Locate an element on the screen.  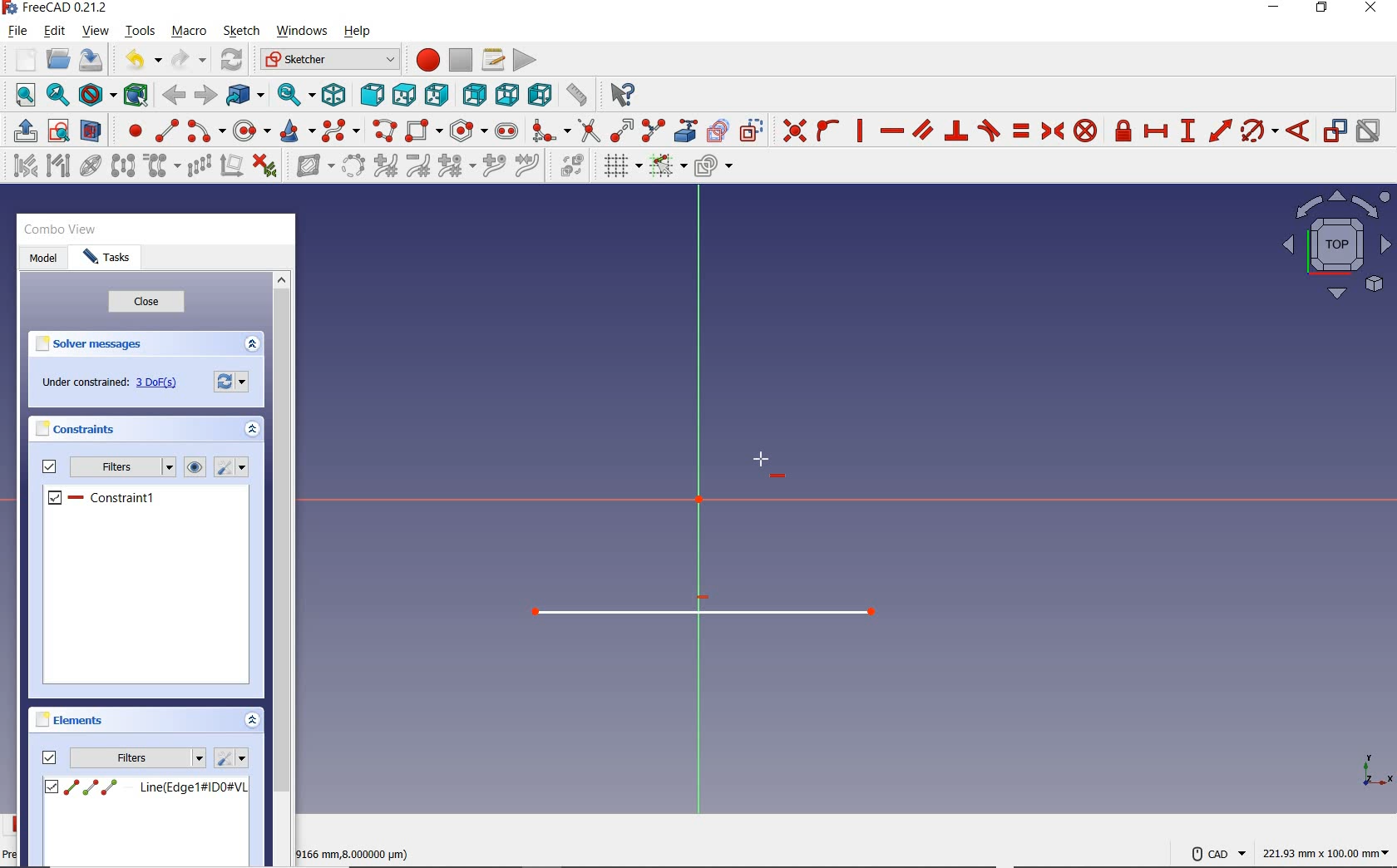
INSERT KNOT is located at coordinates (491, 167).